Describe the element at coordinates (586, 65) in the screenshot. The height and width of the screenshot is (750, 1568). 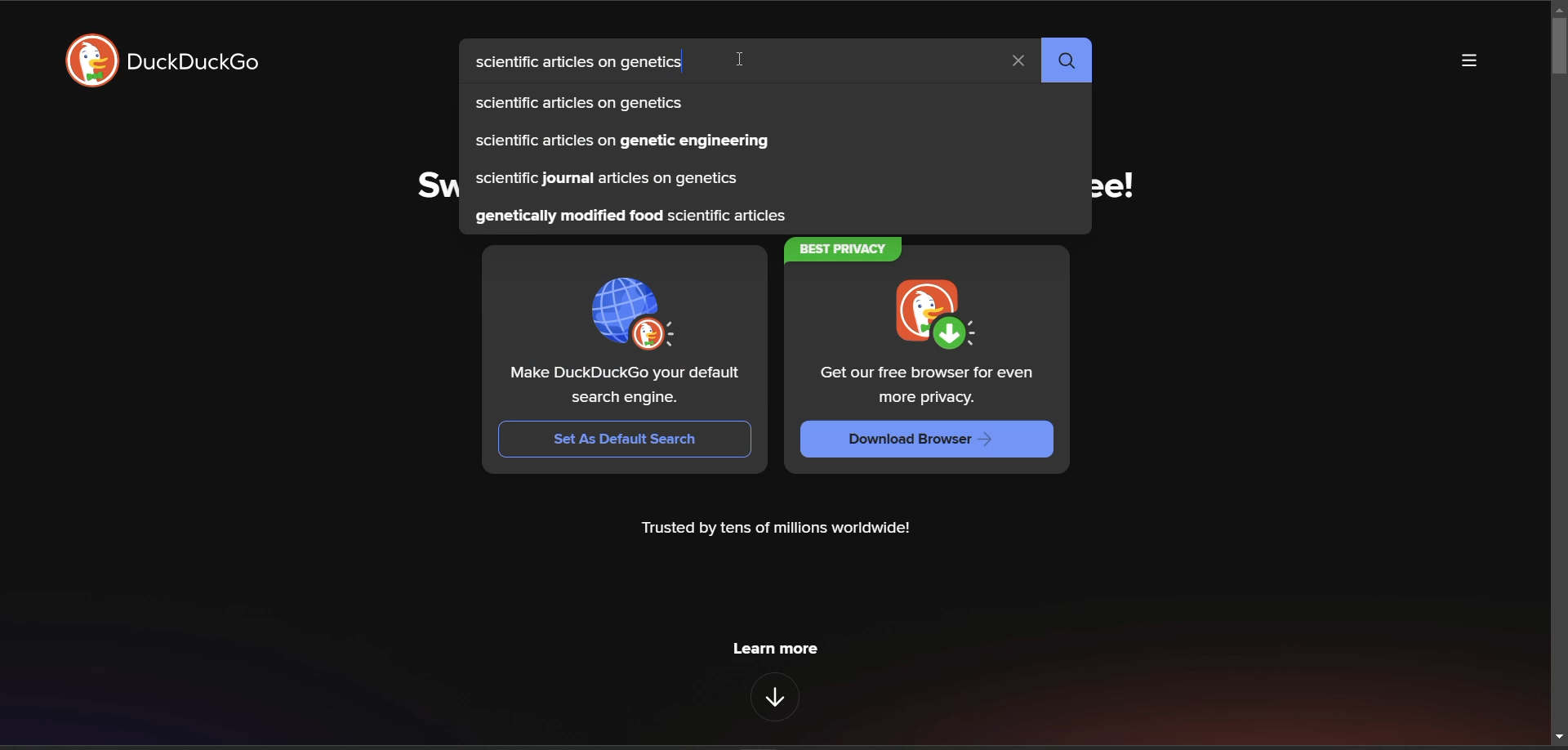
I see `scientific articles on genetics` at that location.